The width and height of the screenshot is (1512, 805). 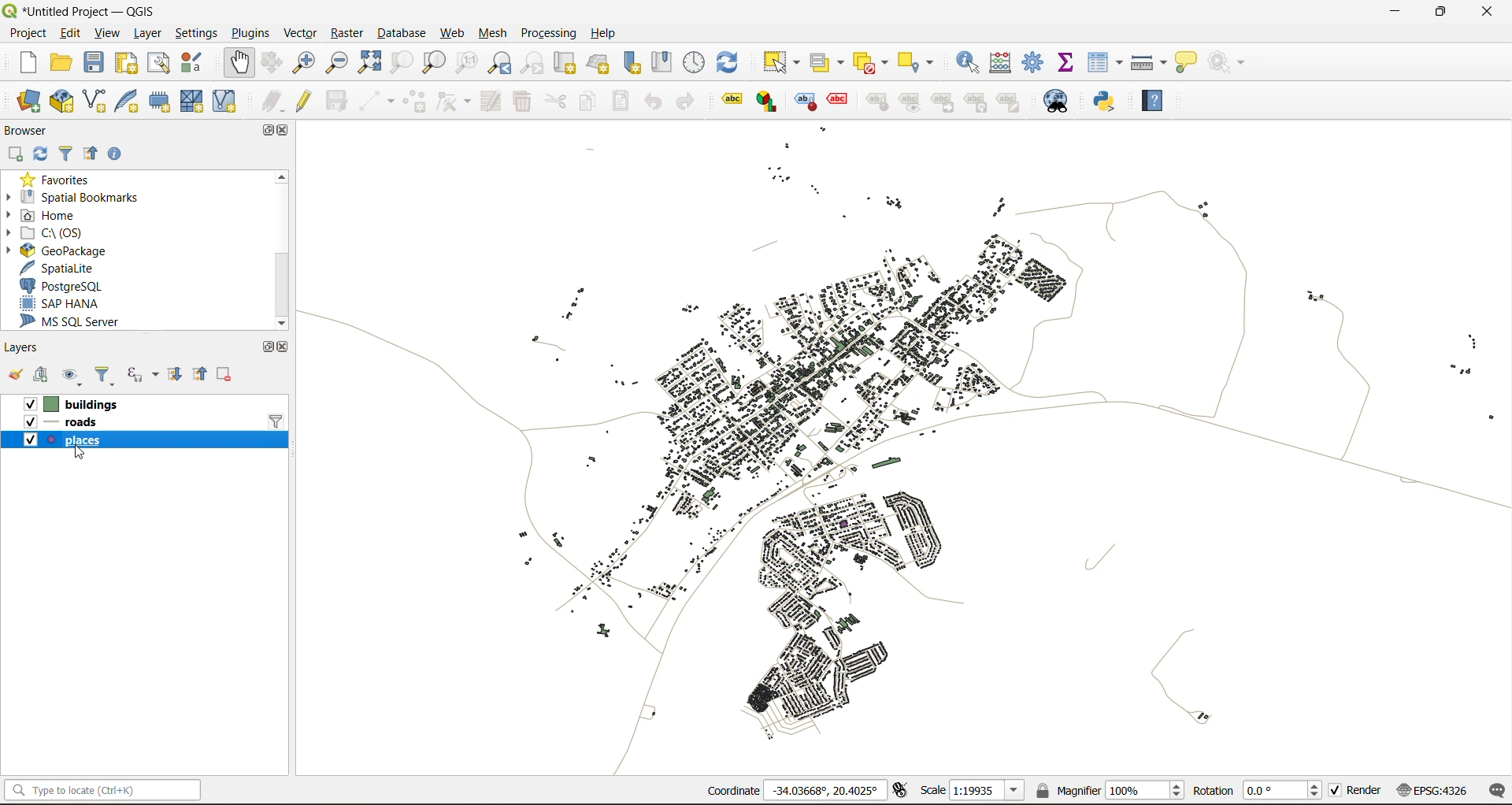 I want to click on buildings, so click(x=90, y=402).